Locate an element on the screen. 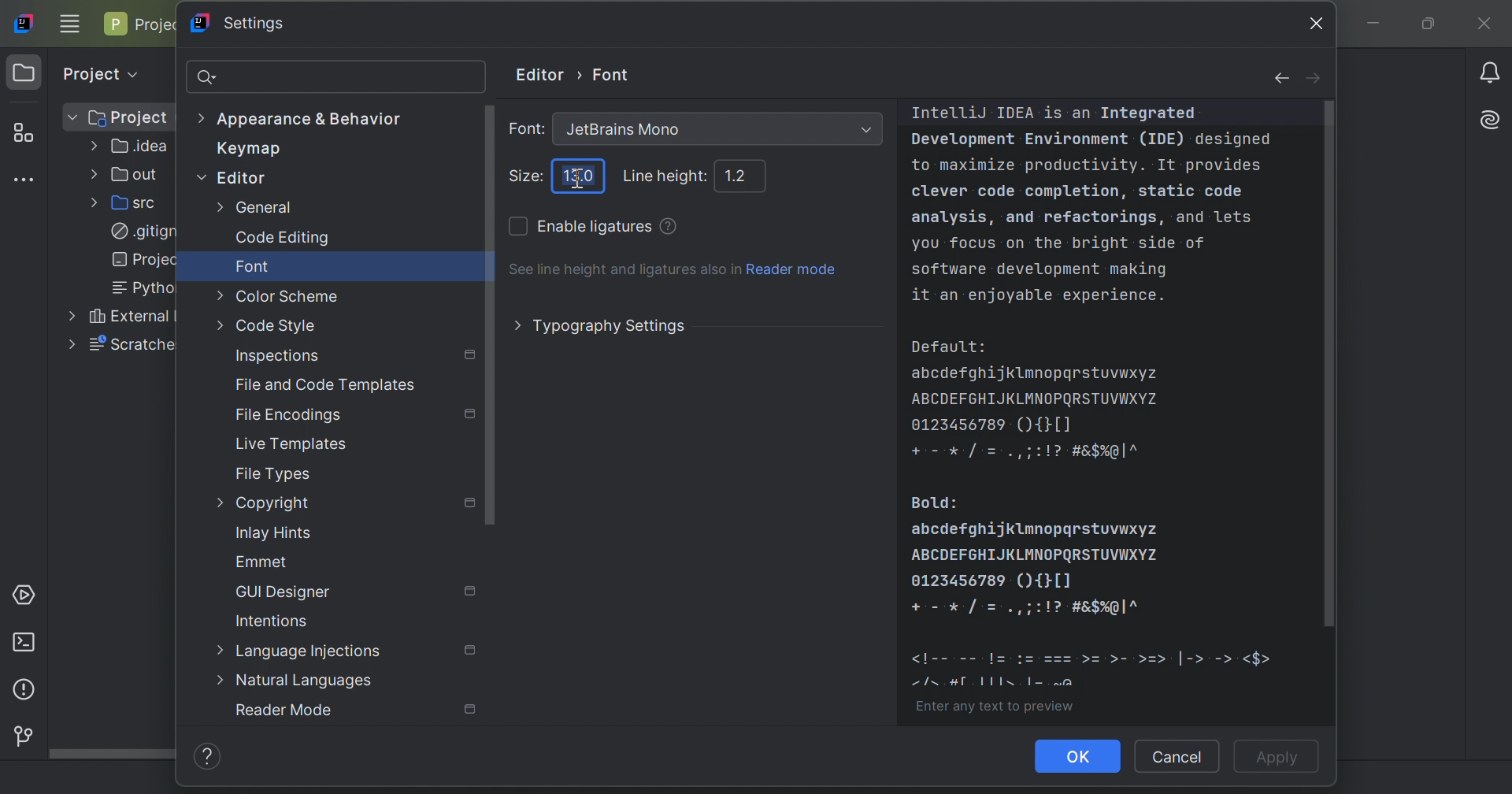 The height and width of the screenshot is (794, 1512). Reader mode is located at coordinates (283, 711).